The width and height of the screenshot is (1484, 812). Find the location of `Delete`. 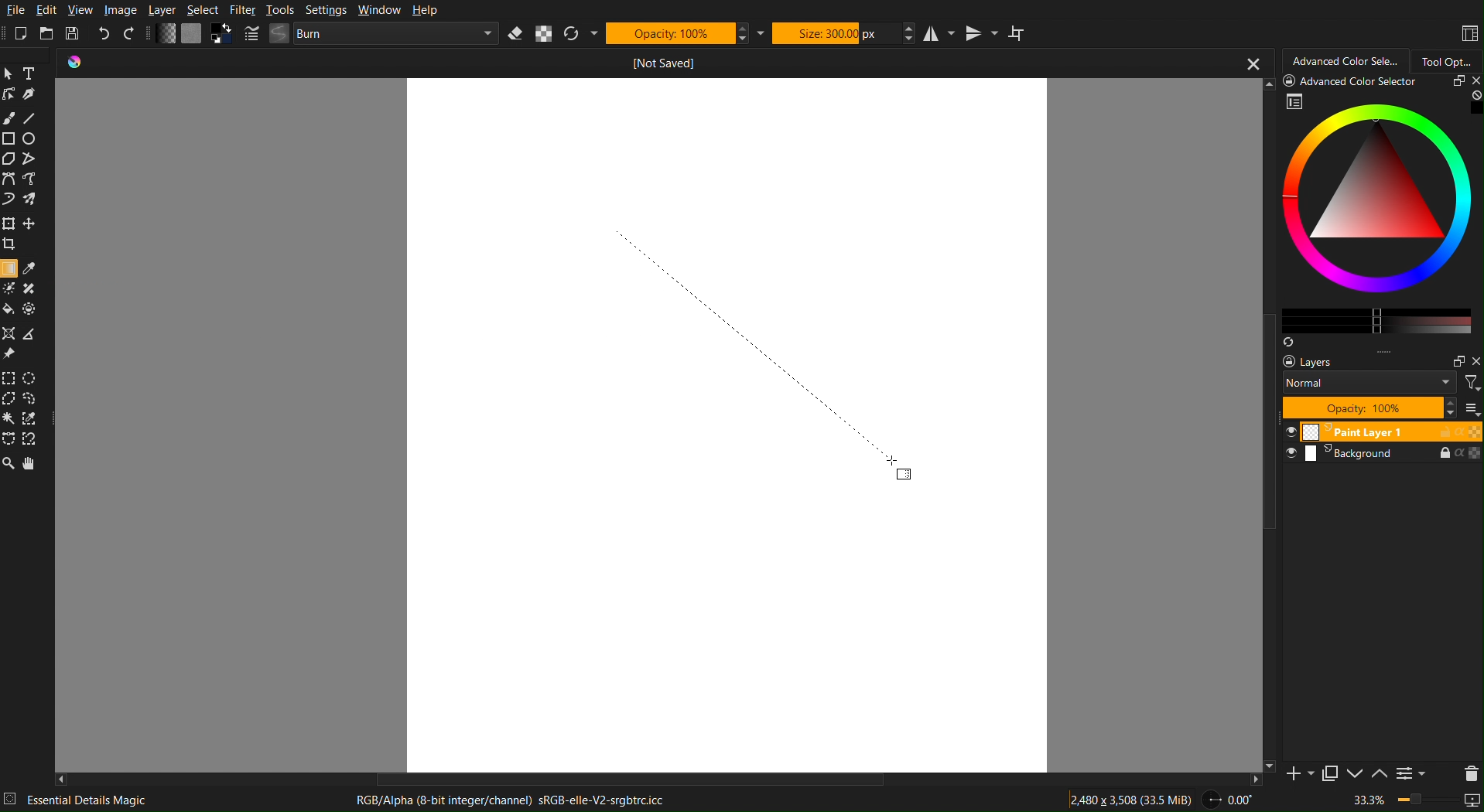

Delete is located at coordinates (1467, 772).